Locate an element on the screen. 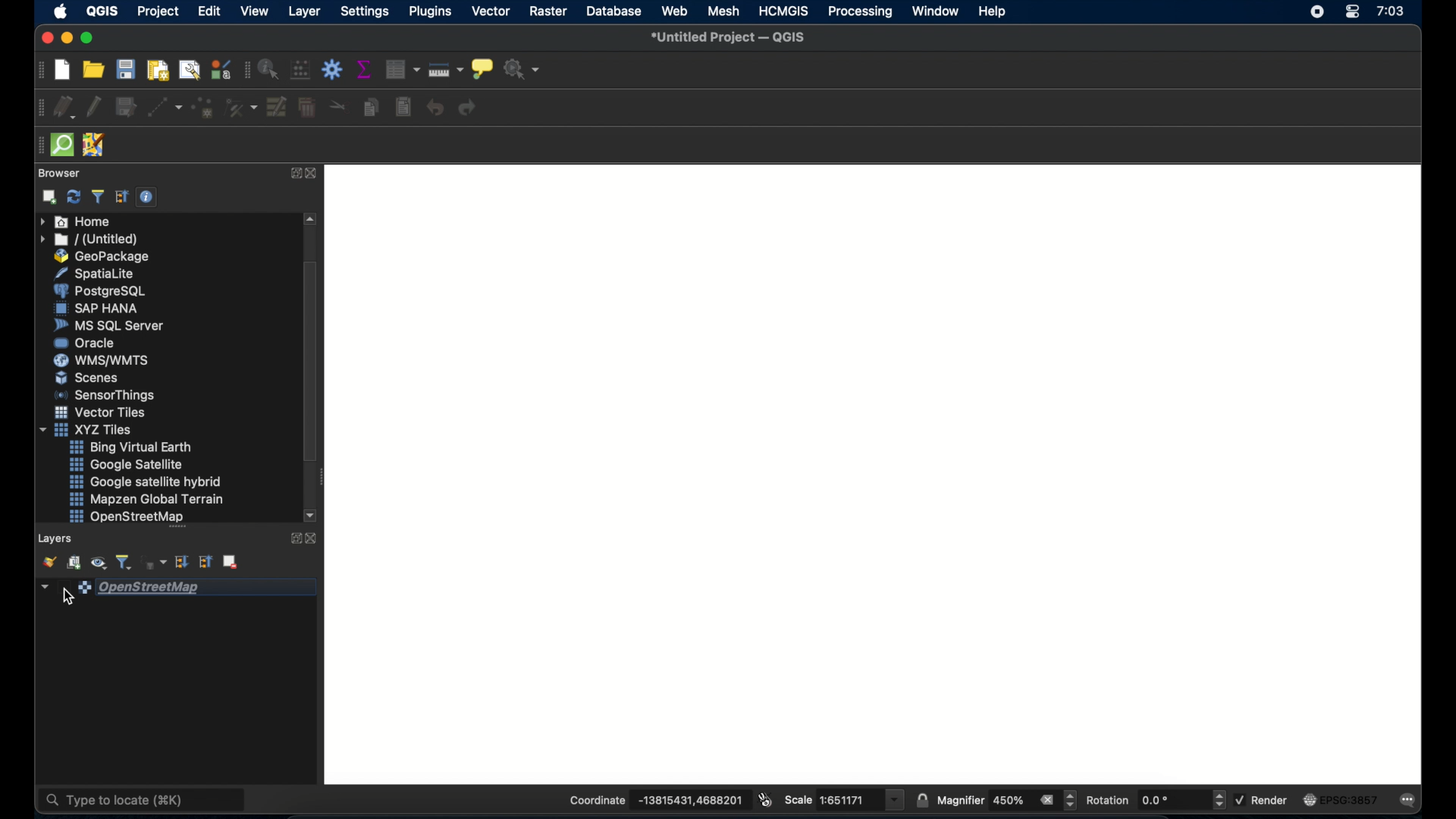 The width and height of the screenshot is (1456, 819). ms sql server is located at coordinates (108, 325).